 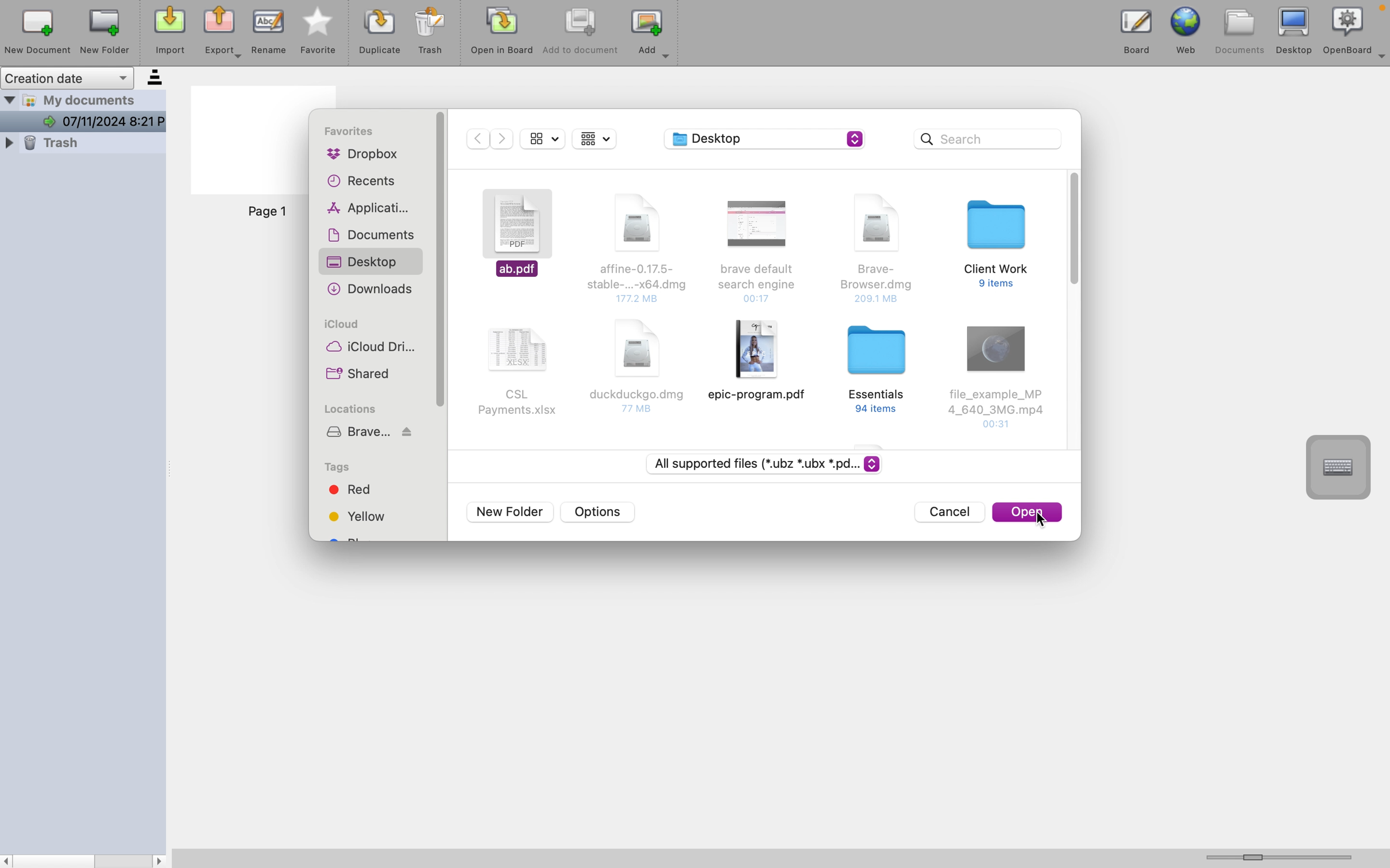 What do you see at coordinates (267, 212) in the screenshot?
I see `page 1` at bounding box center [267, 212].